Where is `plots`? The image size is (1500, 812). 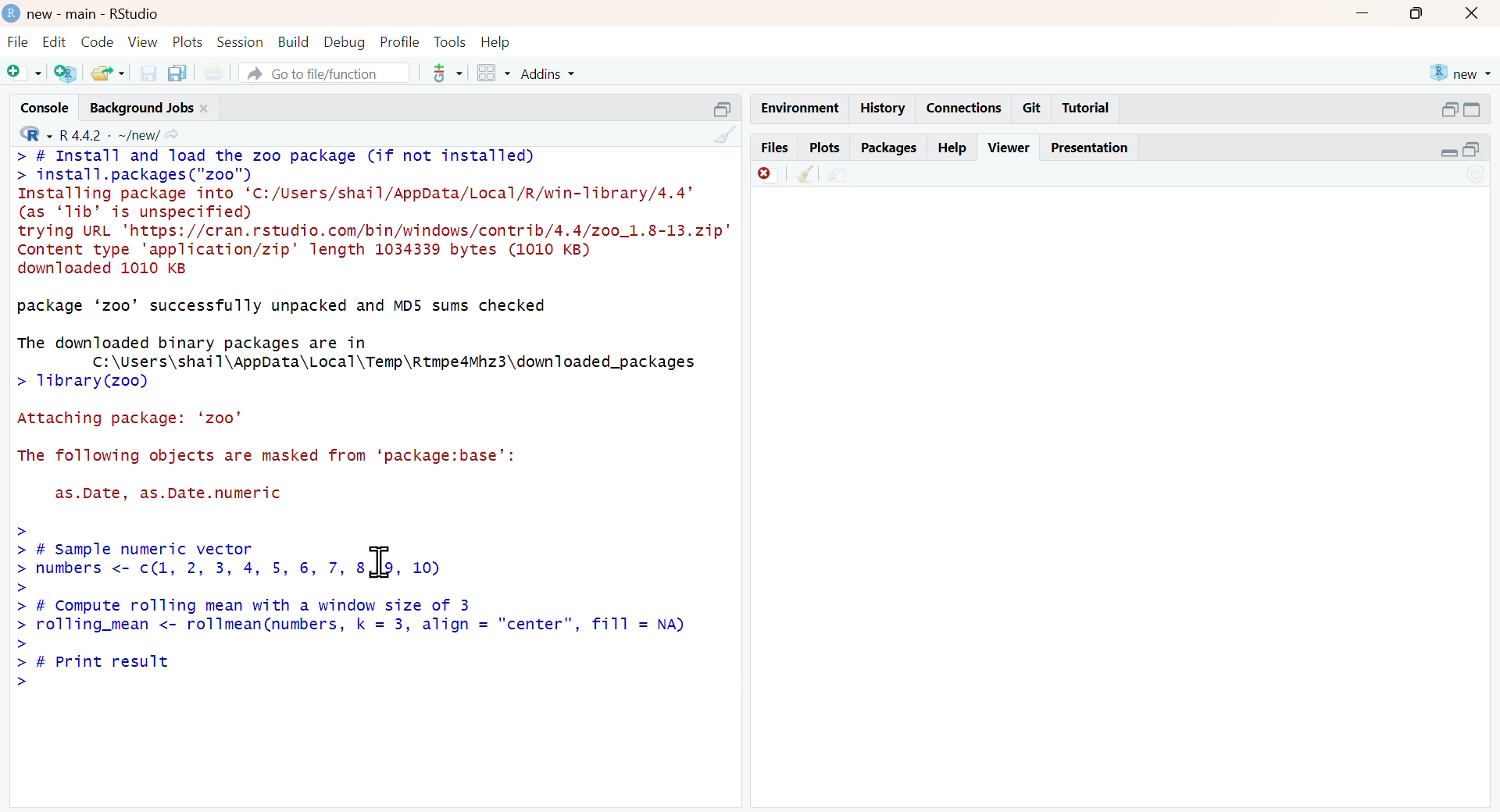 plots is located at coordinates (189, 41).